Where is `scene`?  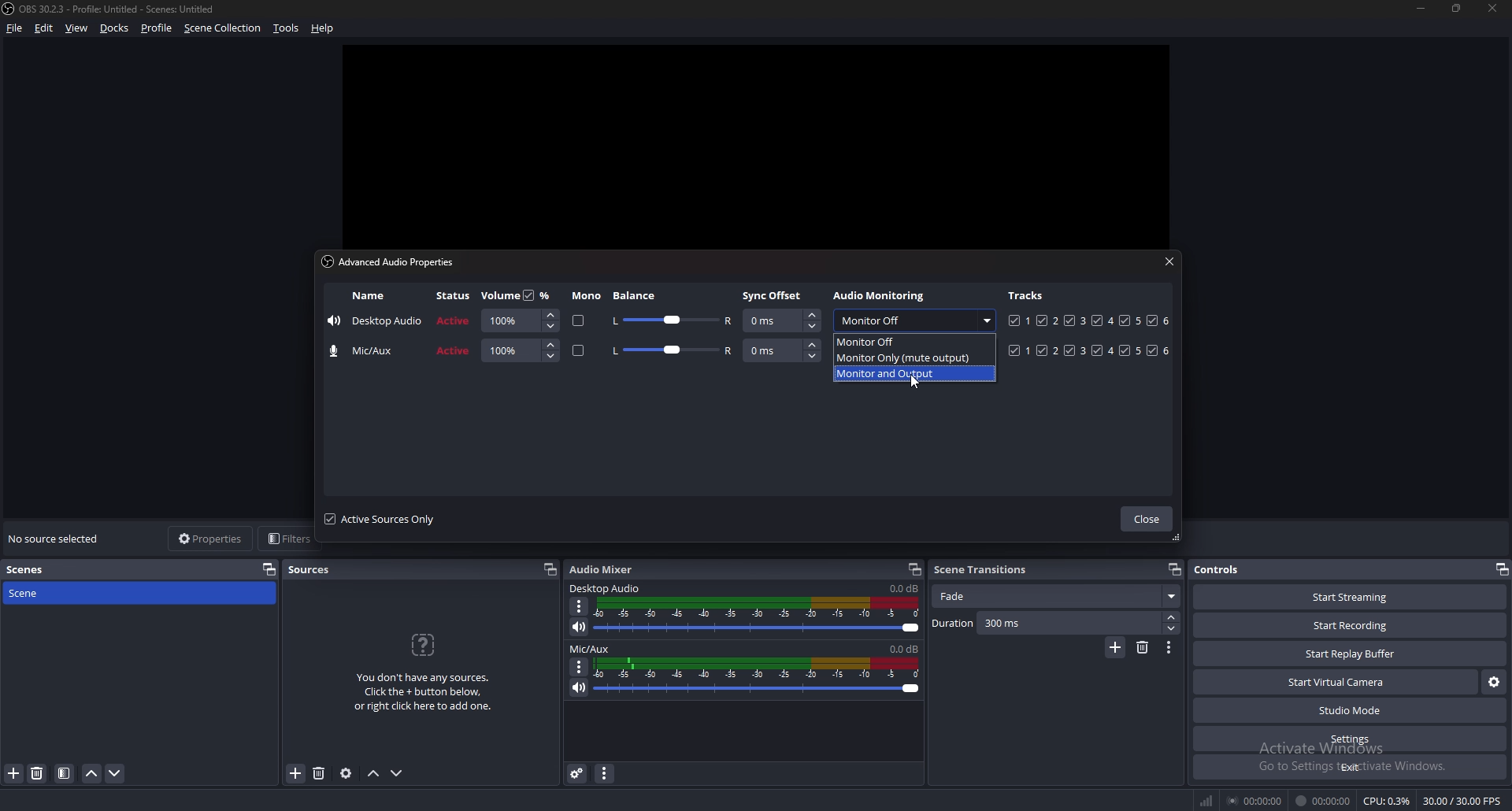 scene is located at coordinates (40, 593).